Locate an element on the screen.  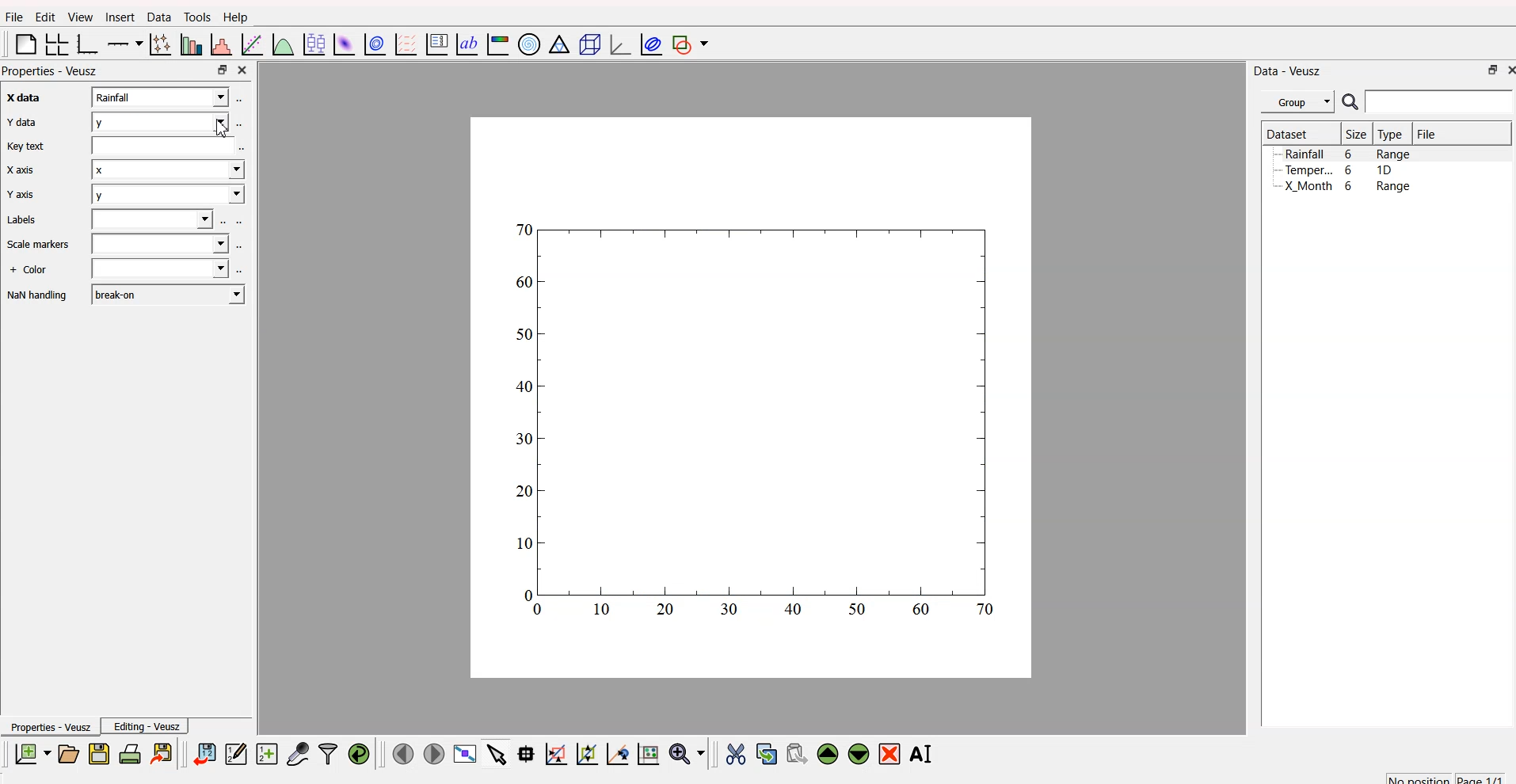
Data is located at coordinates (156, 18).